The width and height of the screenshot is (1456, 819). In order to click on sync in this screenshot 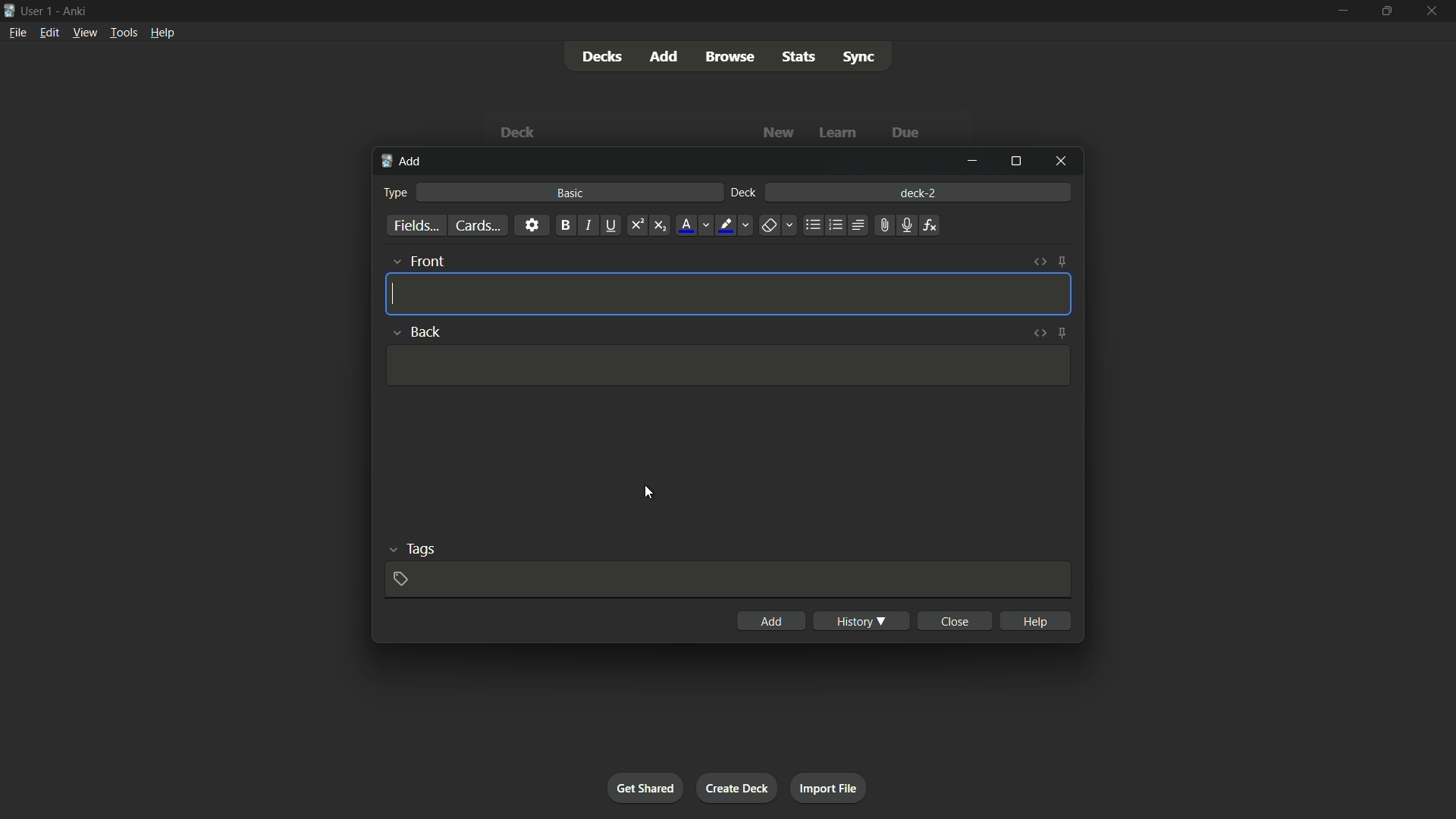, I will do `click(859, 58)`.